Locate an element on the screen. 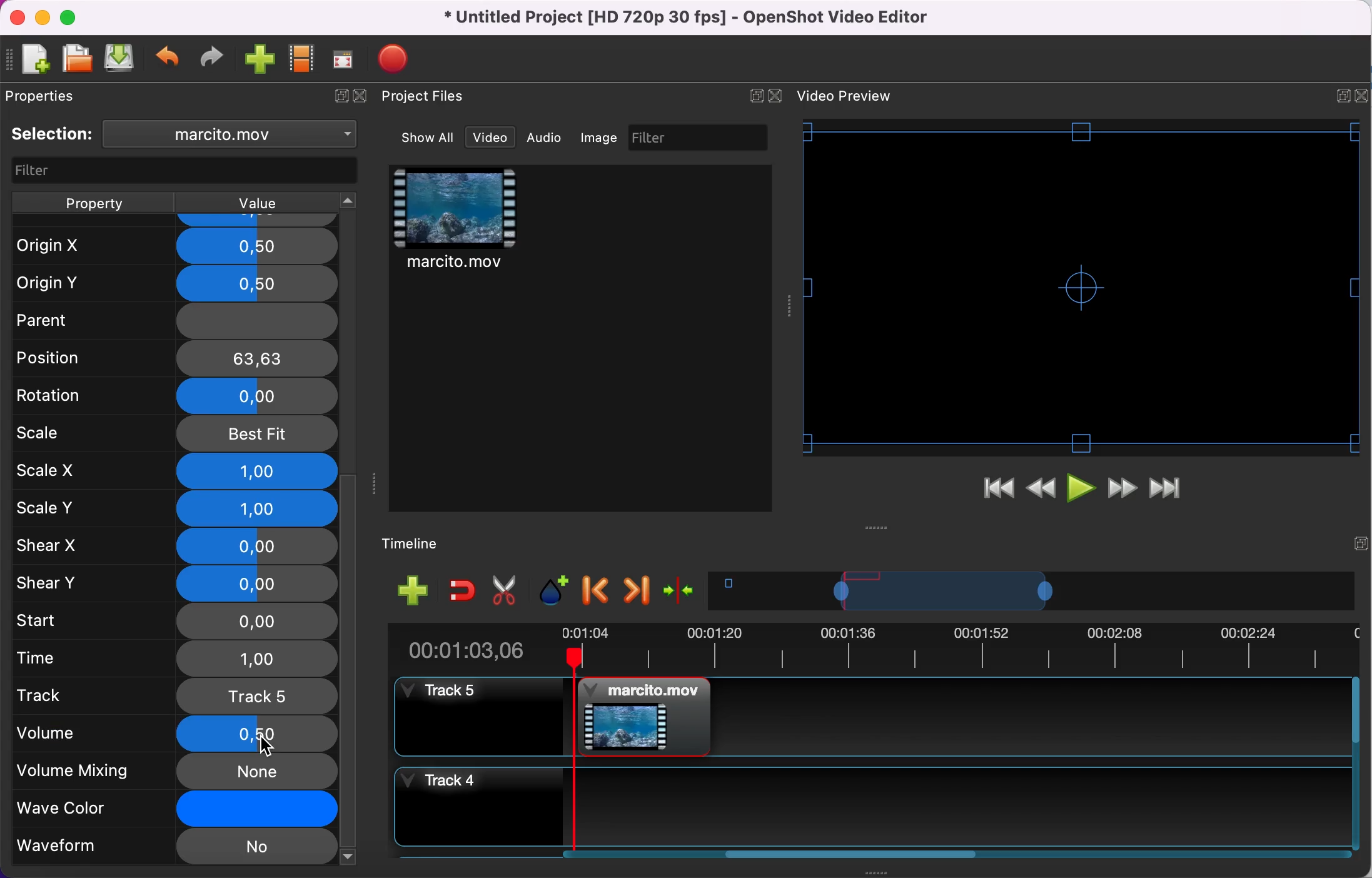 This screenshot has width=1372, height=878. project files is located at coordinates (425, 97).